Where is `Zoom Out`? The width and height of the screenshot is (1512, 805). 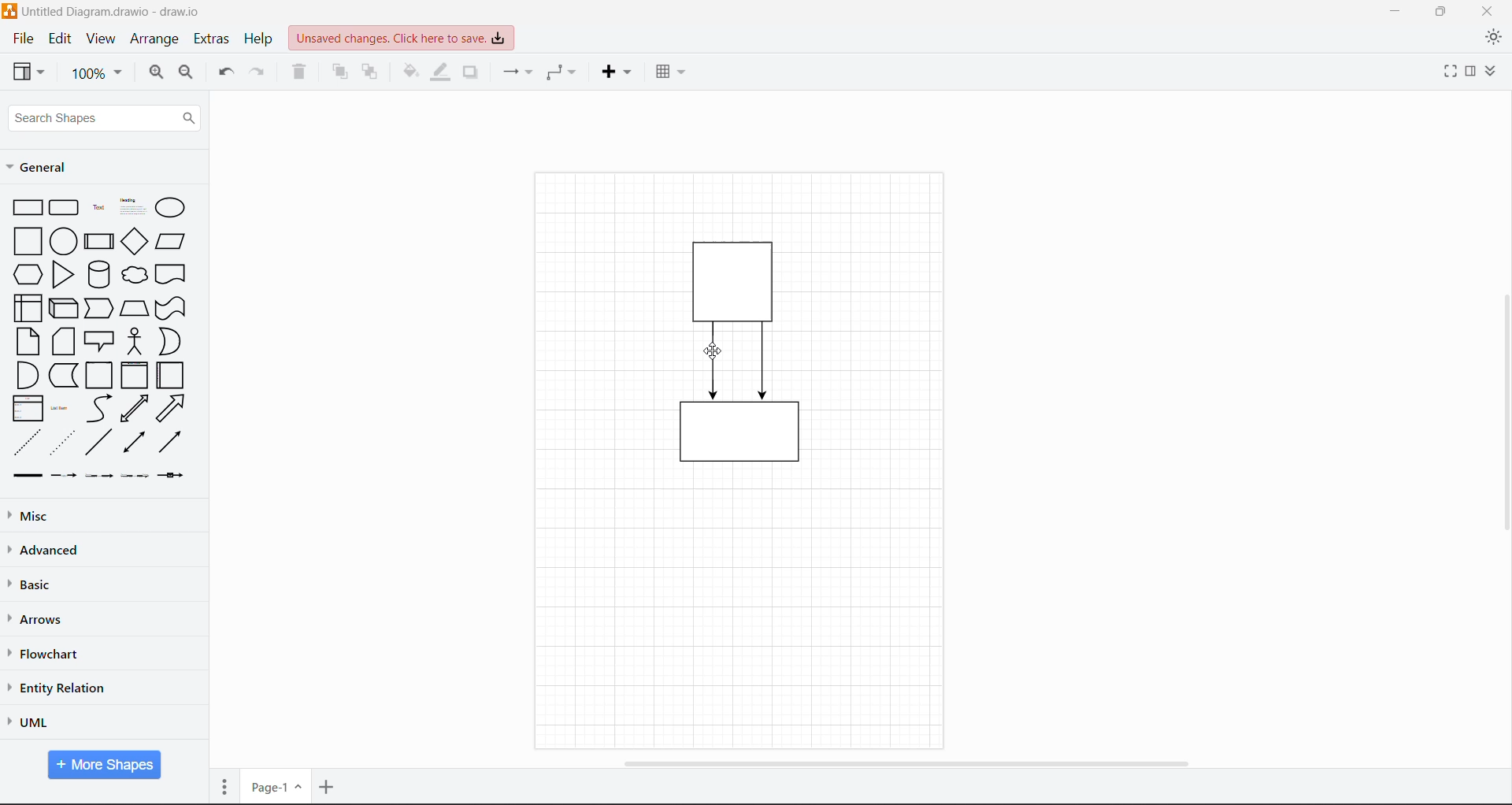 Zoom Out is located at coordinates (187, 75).